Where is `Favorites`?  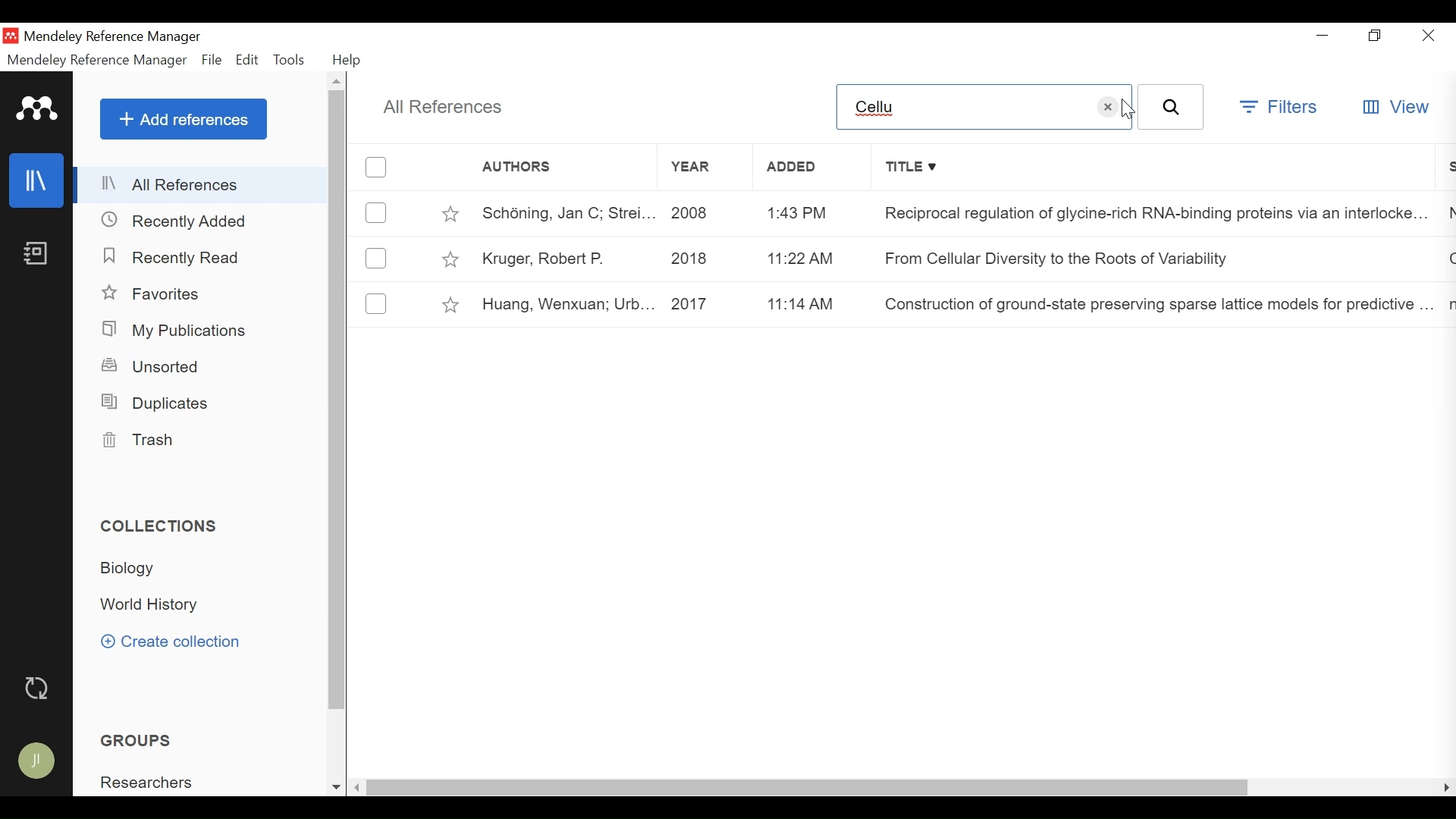 Favorites is located at coordinates (154, 294).